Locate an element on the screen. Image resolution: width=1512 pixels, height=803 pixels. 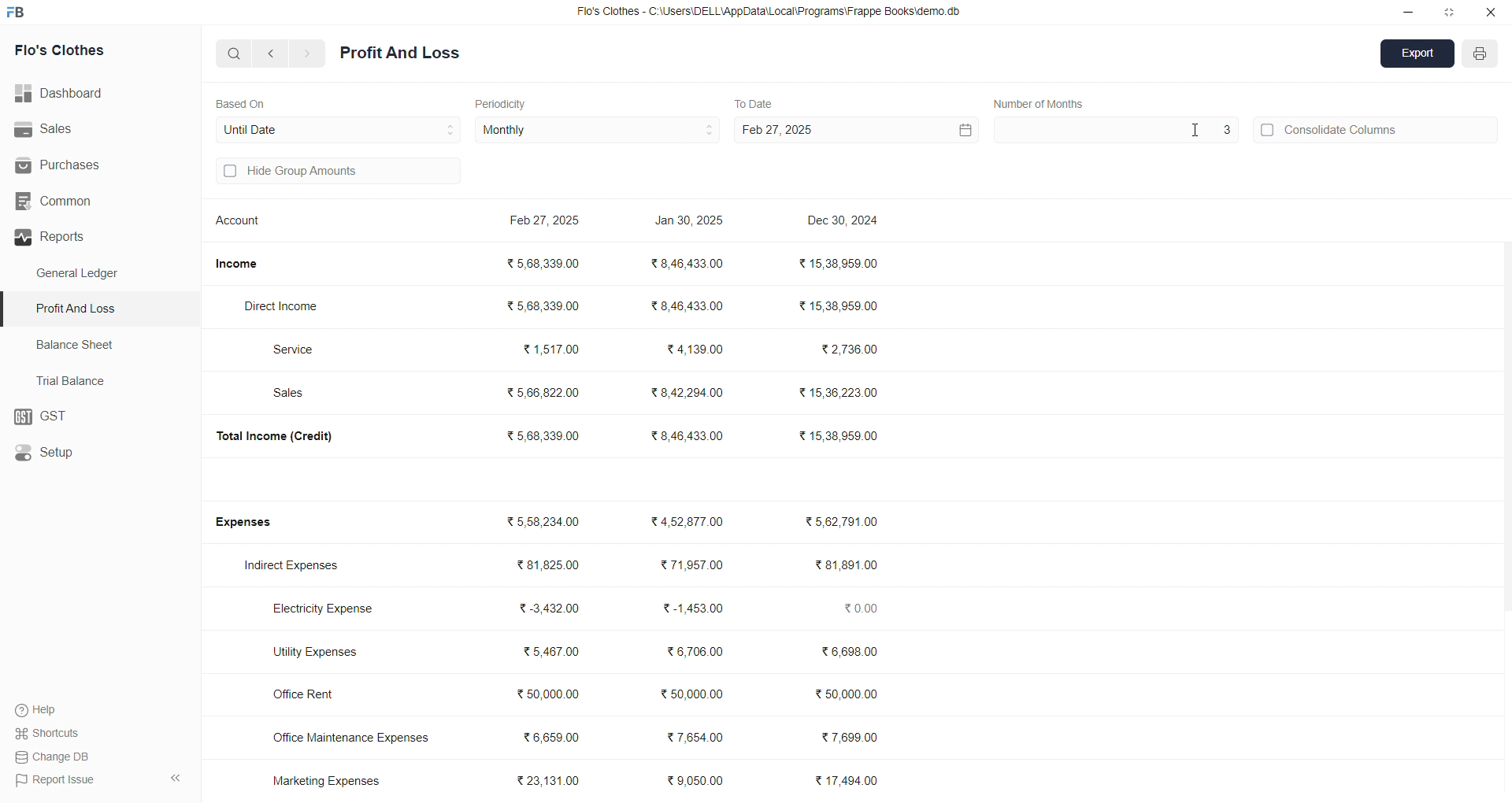
selected is located at coordinates (9, 309).